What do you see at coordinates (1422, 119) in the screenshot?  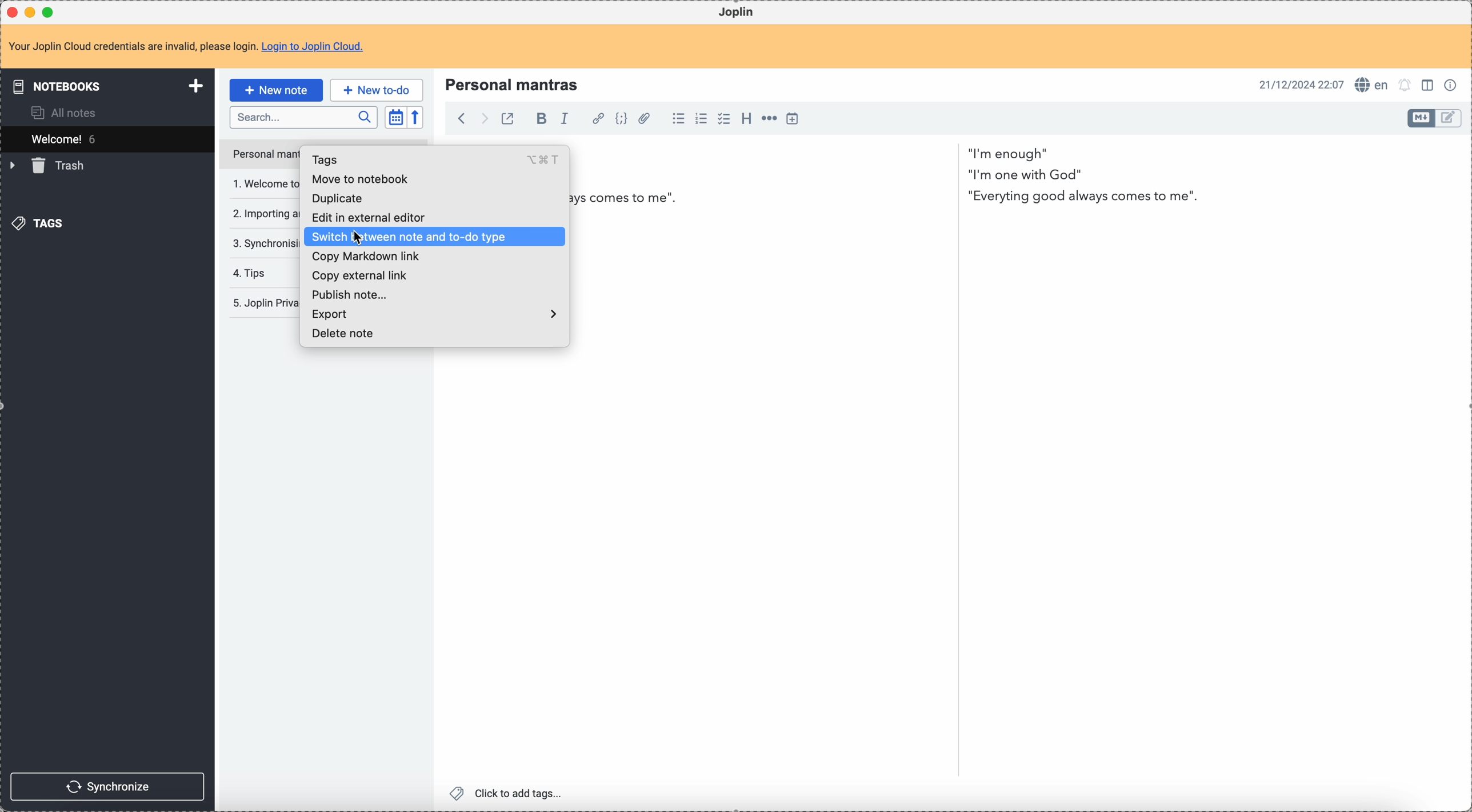 I see `toggle editor layout` at bounding box center [1422, 119].